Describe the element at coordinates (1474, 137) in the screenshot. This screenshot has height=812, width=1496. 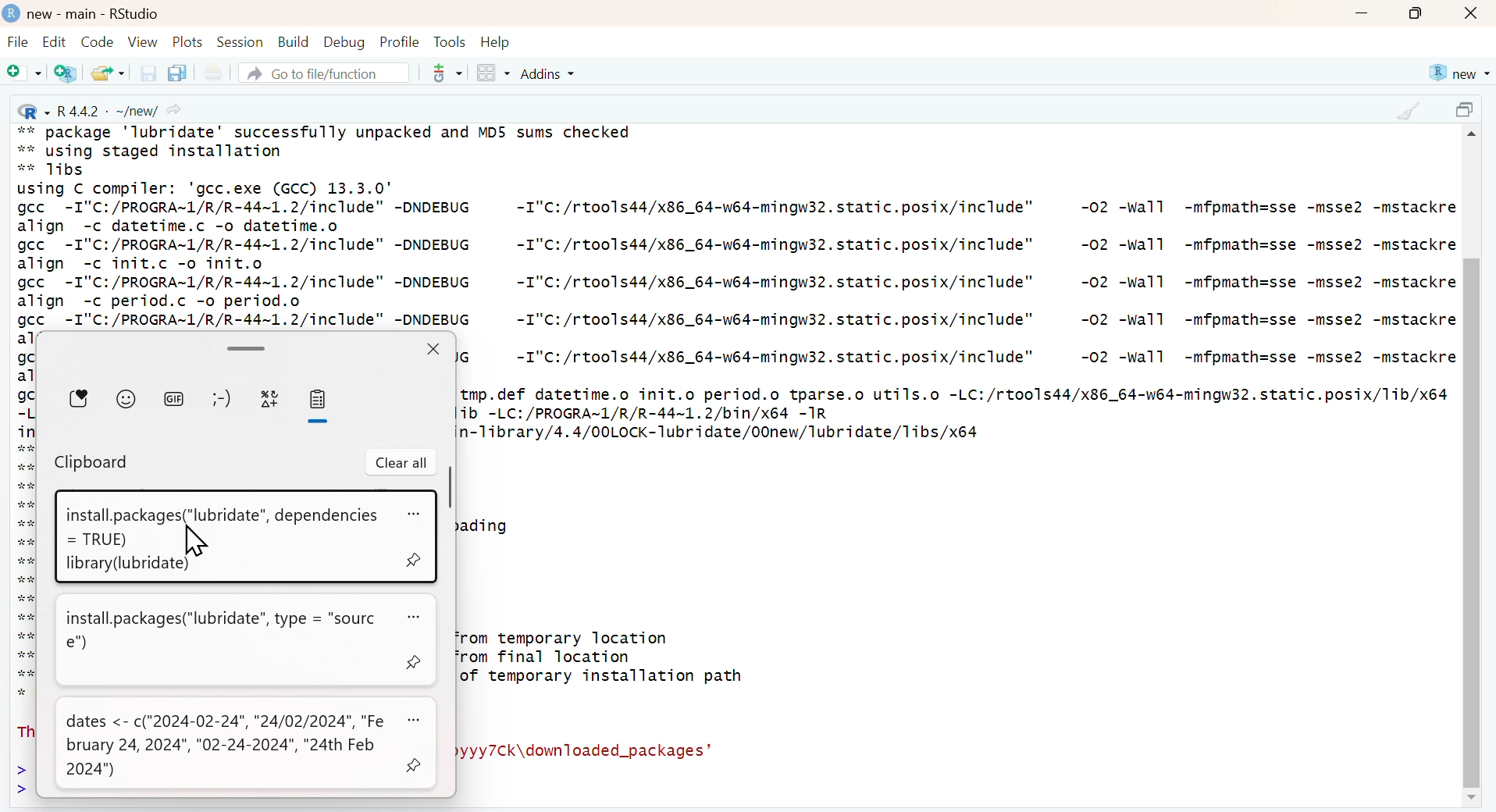
I see `scroll up` at that location.